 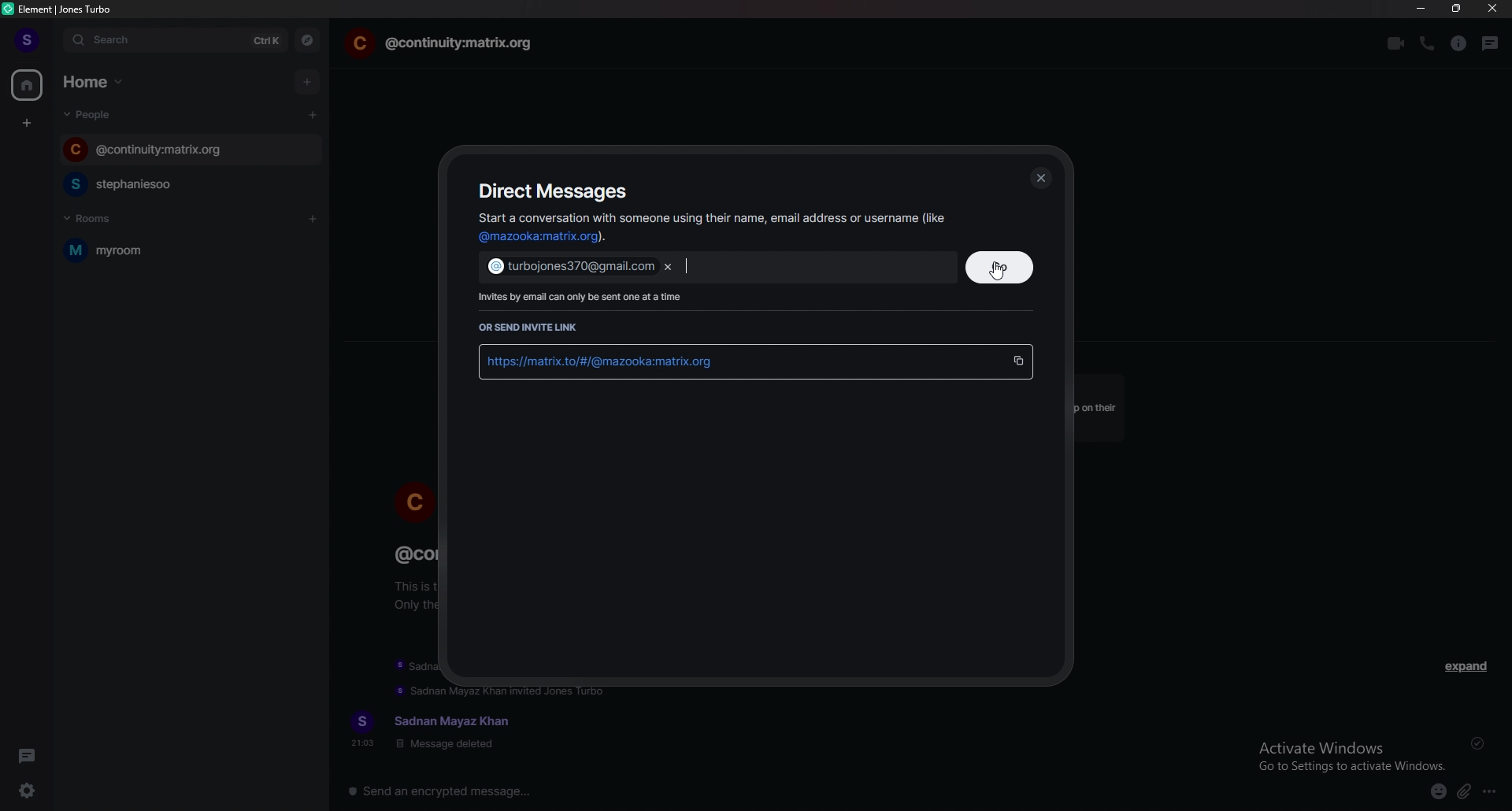 I want to click on message input, so click(x=677, y=791).